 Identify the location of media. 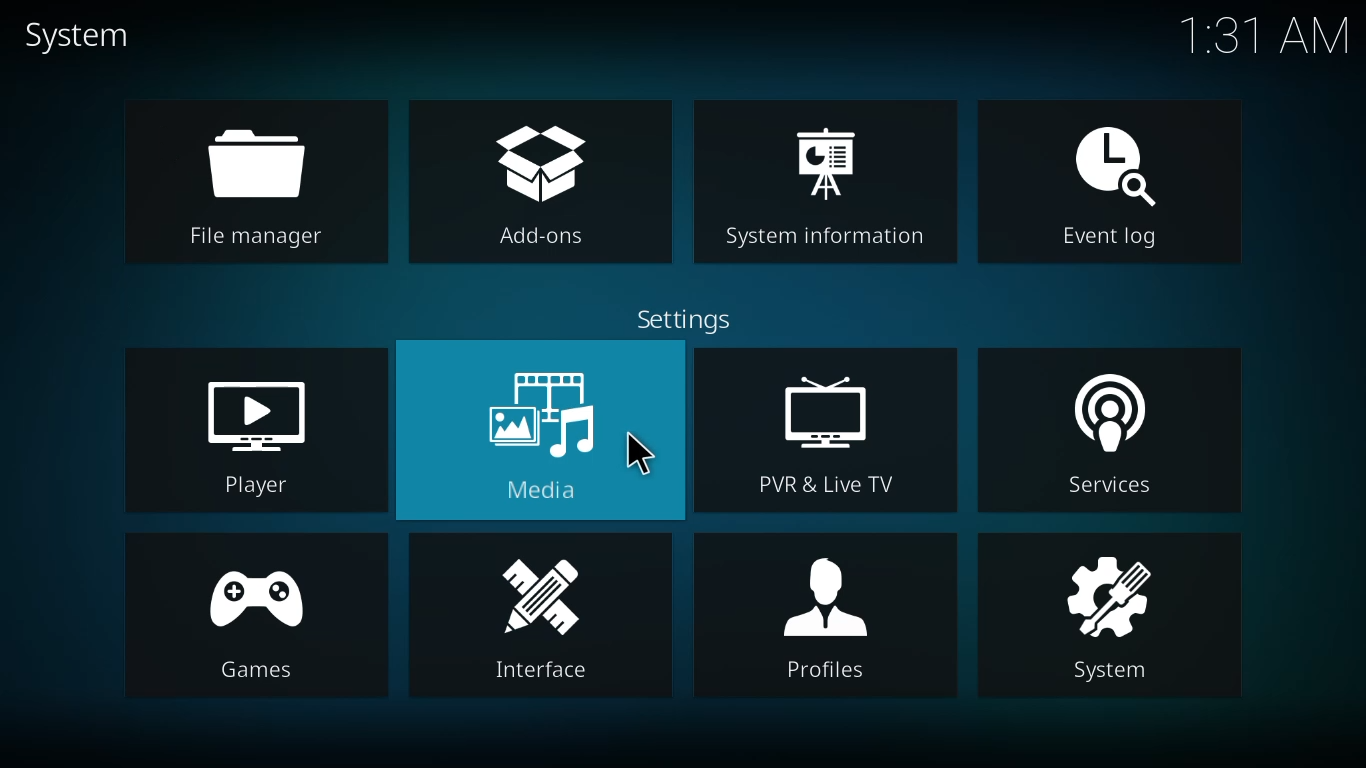
(547, 434).